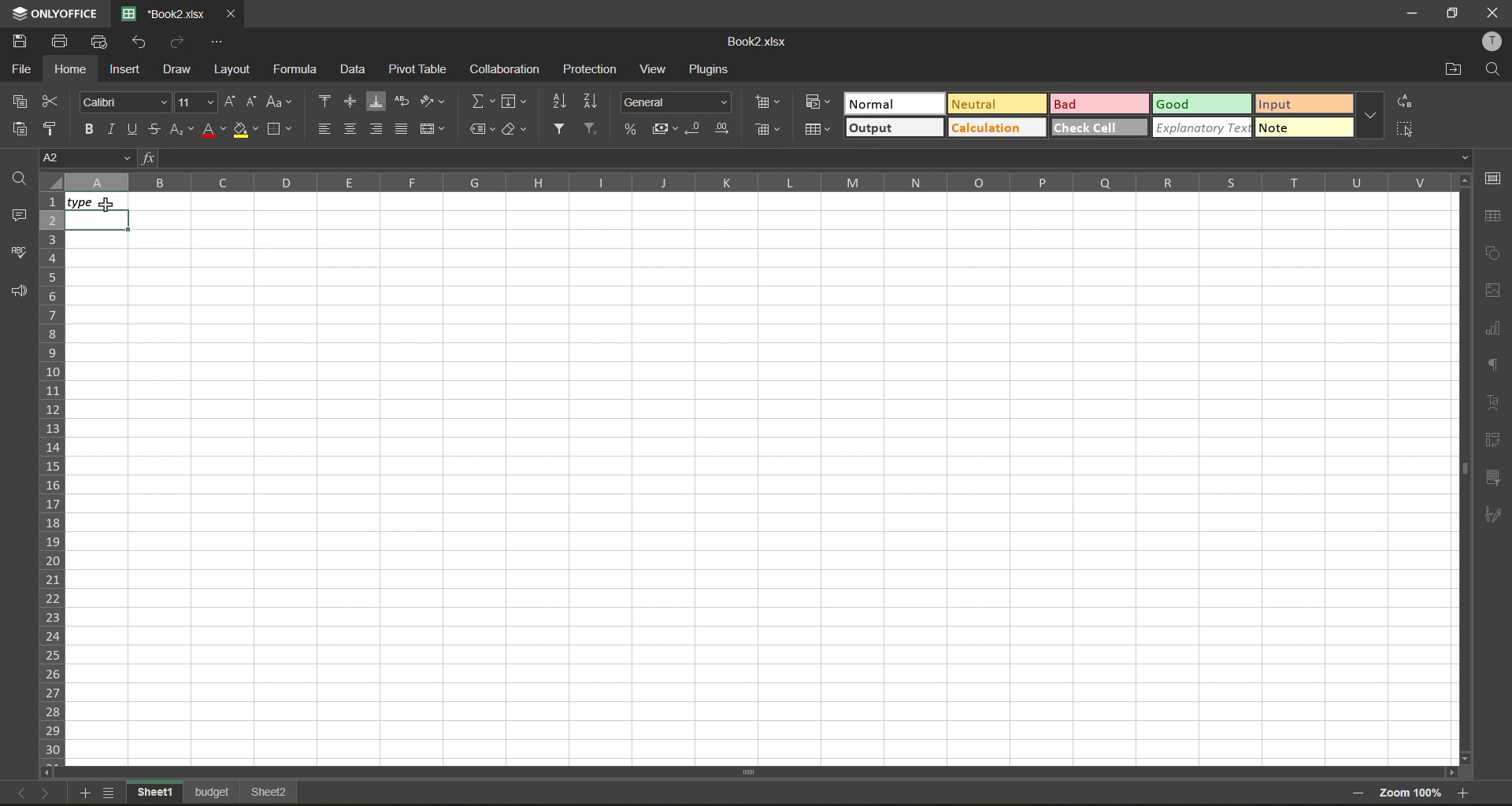 This screenshot has height=806, width=1512. What do you see at coordinates (93, 200) in the screenshot?
I see `type` at bounding box center [93, 200].